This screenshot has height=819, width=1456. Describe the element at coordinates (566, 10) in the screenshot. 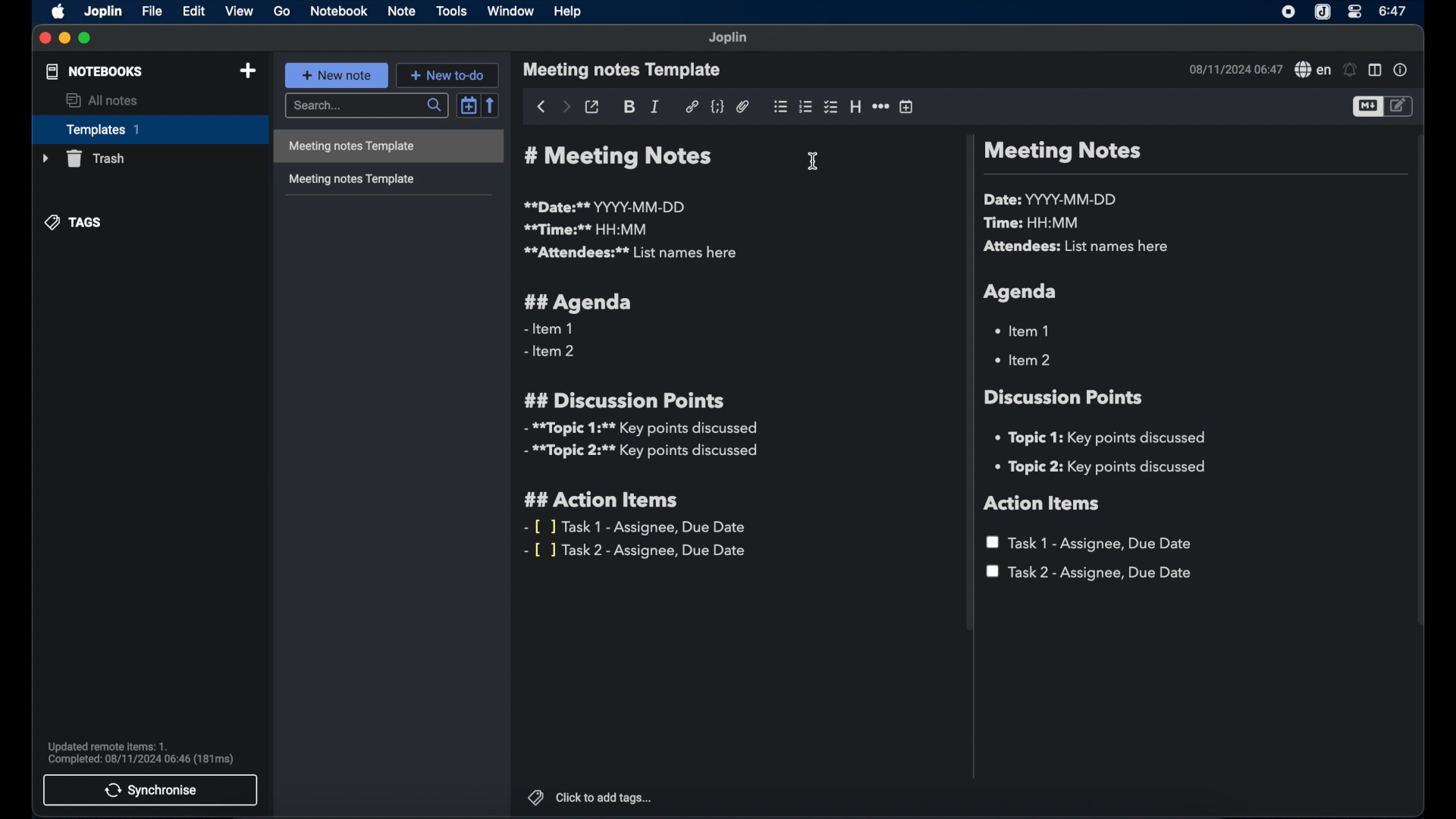

I see `help` at that location.